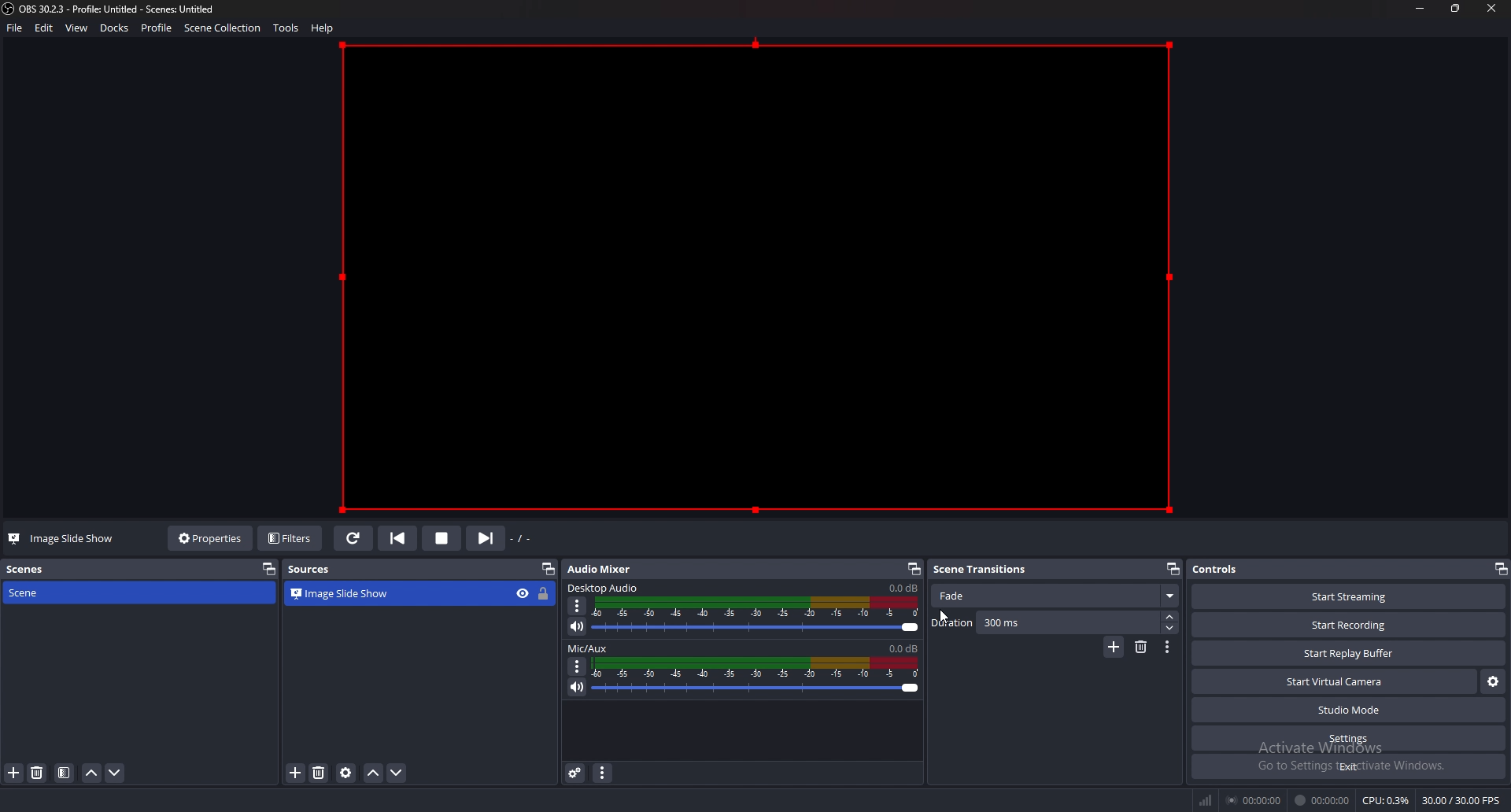 The height and width of the screenshot is (812, 1511). I want to click on volume level, so click(903, 588).